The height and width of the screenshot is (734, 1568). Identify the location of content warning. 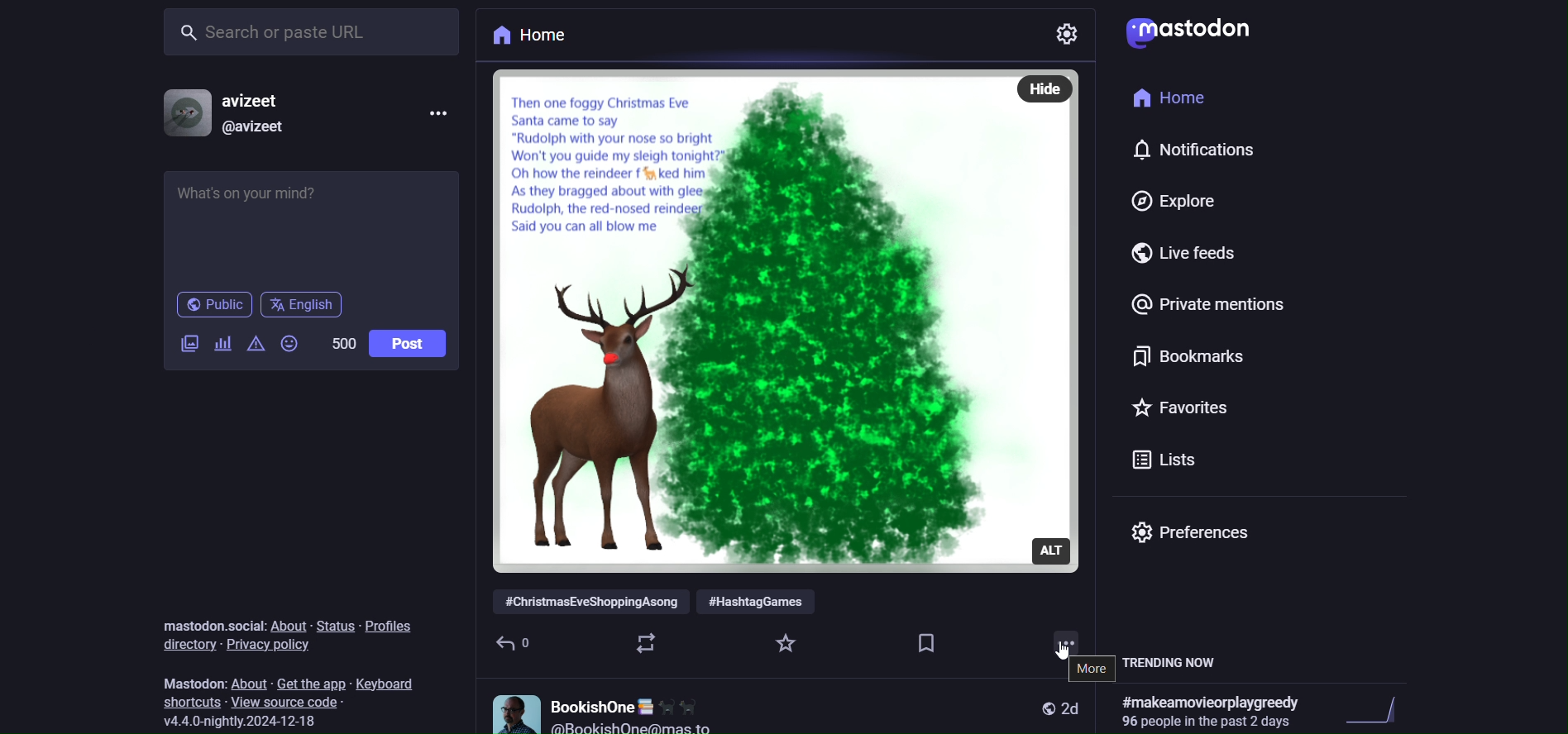
(259, 343).